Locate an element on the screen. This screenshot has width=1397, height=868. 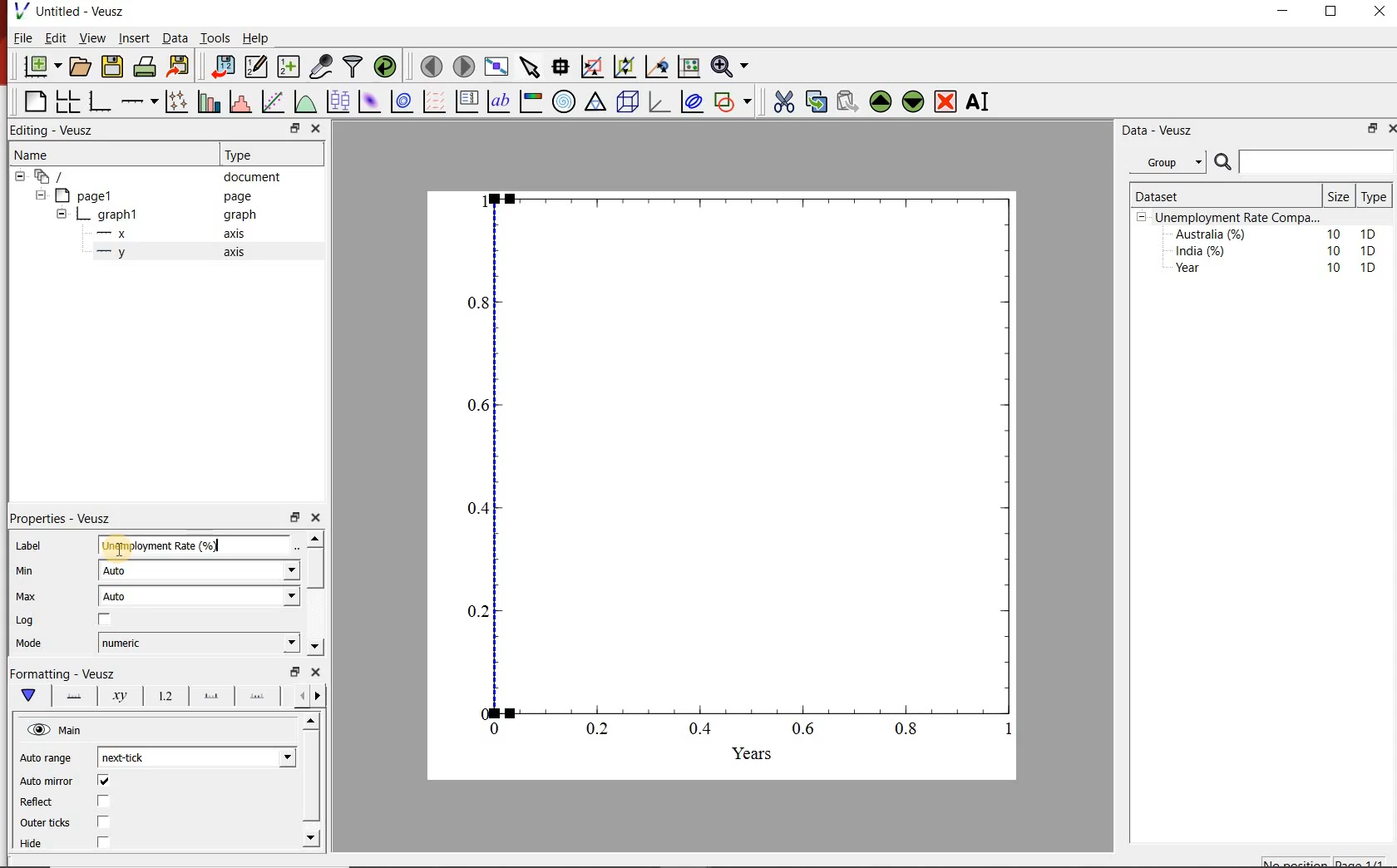
caputure remote data is located at coordinates (323, 66).